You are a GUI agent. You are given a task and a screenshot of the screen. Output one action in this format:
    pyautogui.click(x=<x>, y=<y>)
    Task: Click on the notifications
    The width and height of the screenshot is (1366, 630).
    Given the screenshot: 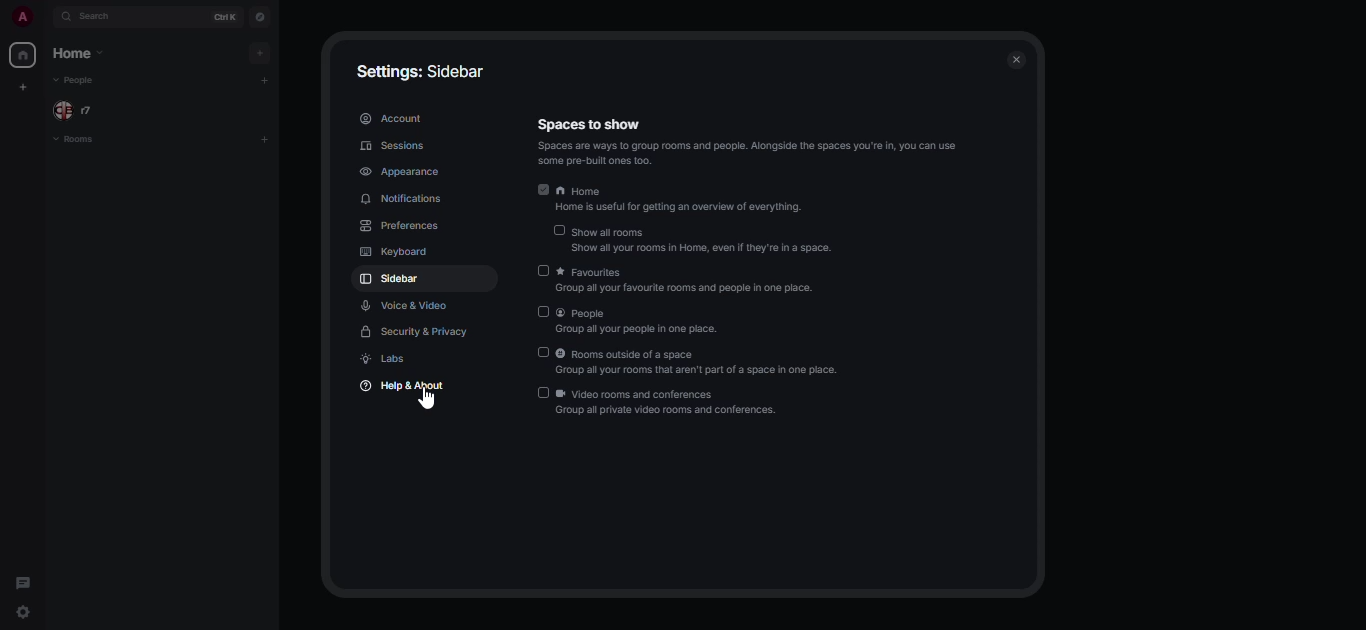 What is the action you would take?
    pyautogui.click(x=404, y=199)
    